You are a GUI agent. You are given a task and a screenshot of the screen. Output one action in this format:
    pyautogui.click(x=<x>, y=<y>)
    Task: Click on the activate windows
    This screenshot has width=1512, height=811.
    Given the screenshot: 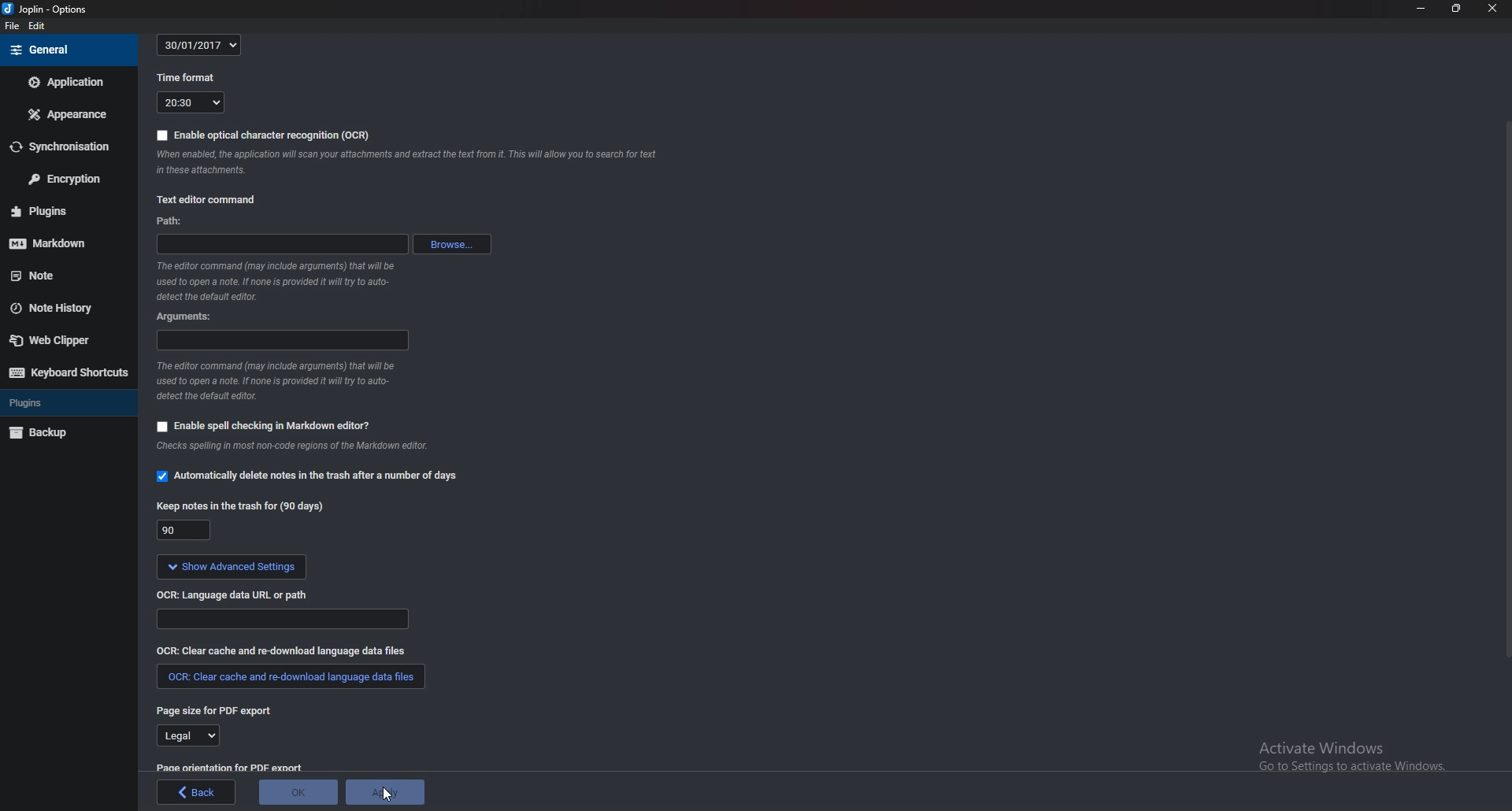 What is the action you would take?
    pyautogui.click(x=1354, y=751)
    